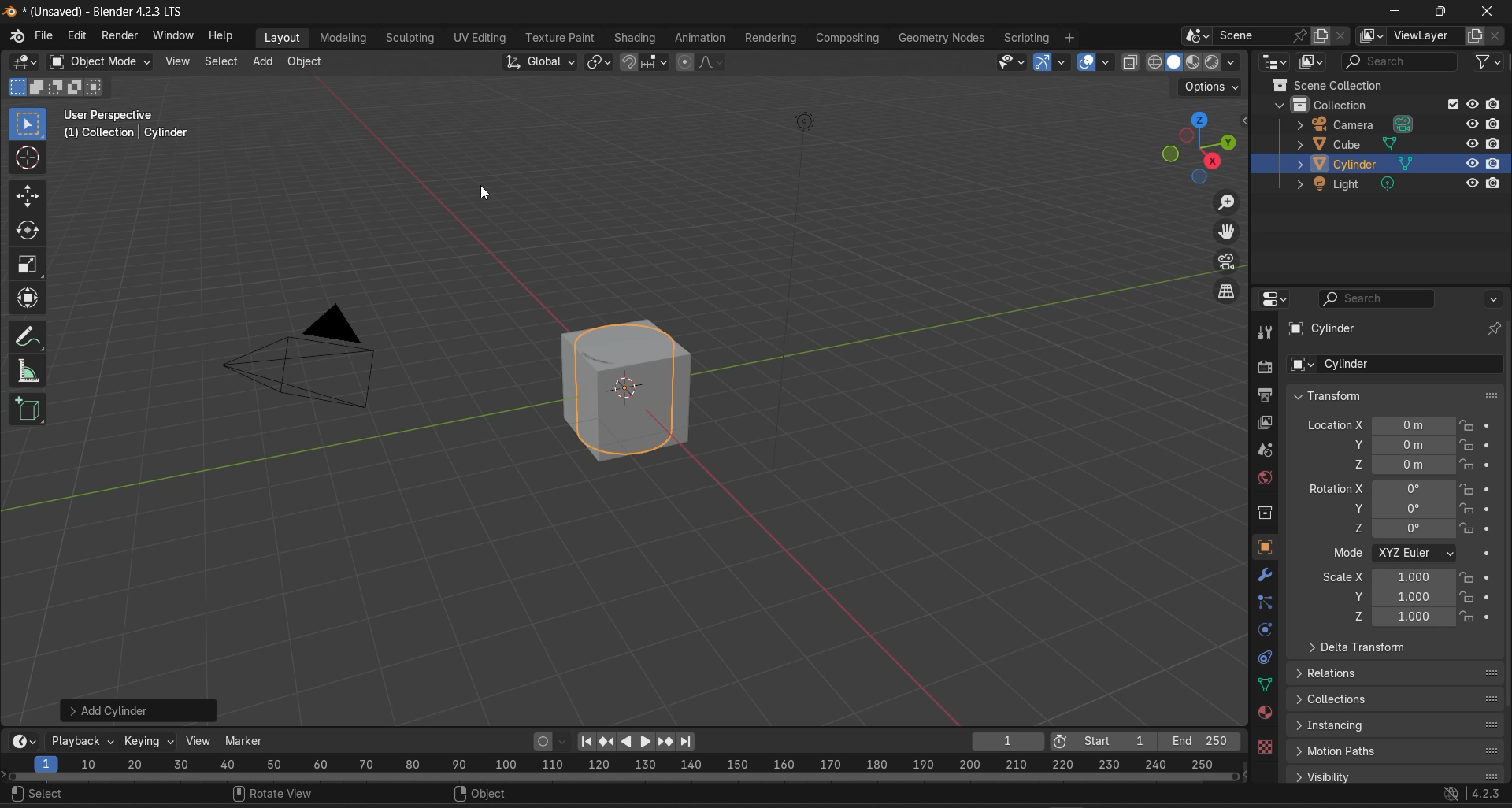 The width and height of the screenshot is (1512, 808). I want to click on live search filtering string, so click(1401, 63).